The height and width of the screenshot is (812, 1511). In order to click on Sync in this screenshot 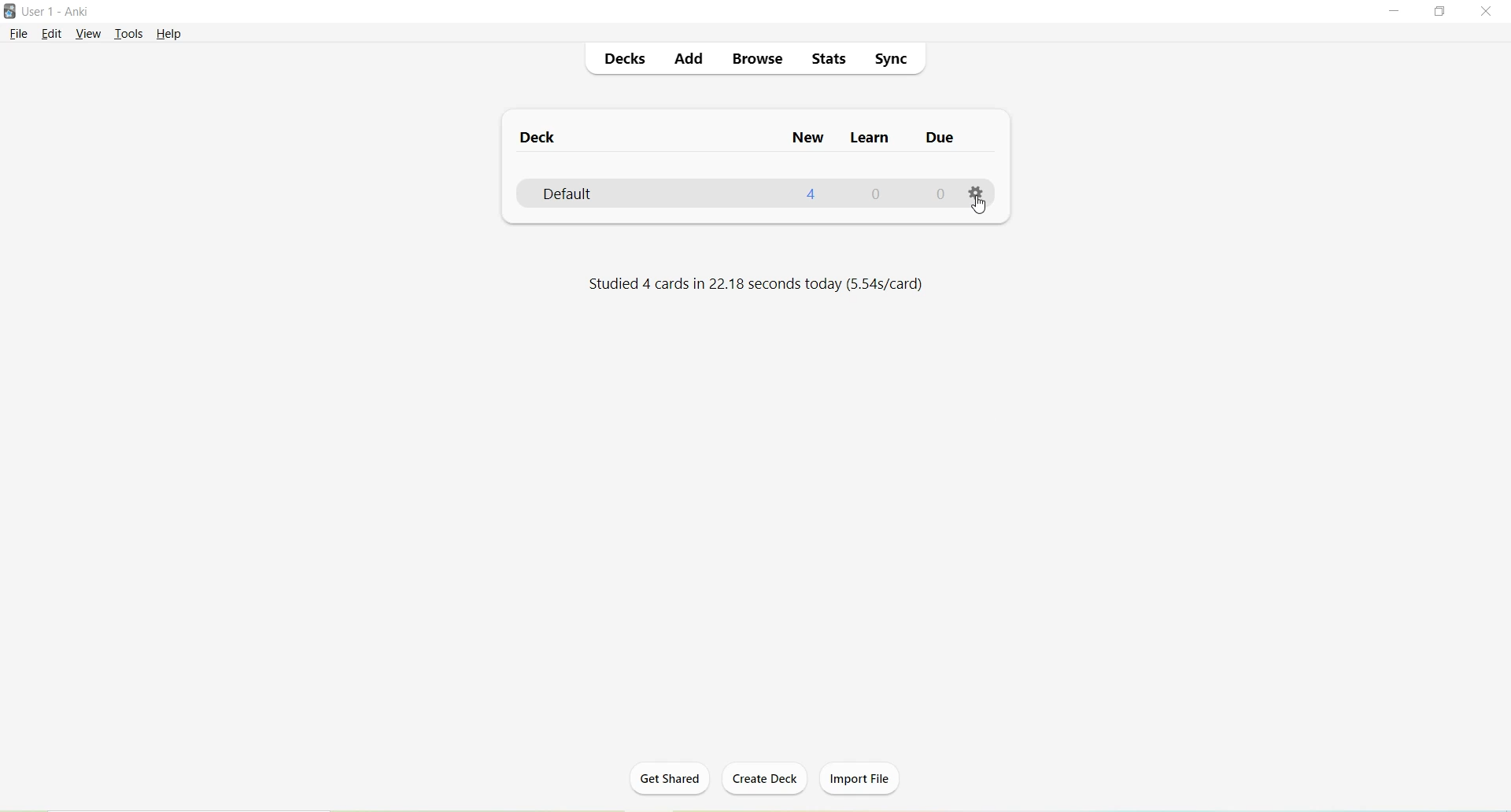, I will do `click(890, 61)`.